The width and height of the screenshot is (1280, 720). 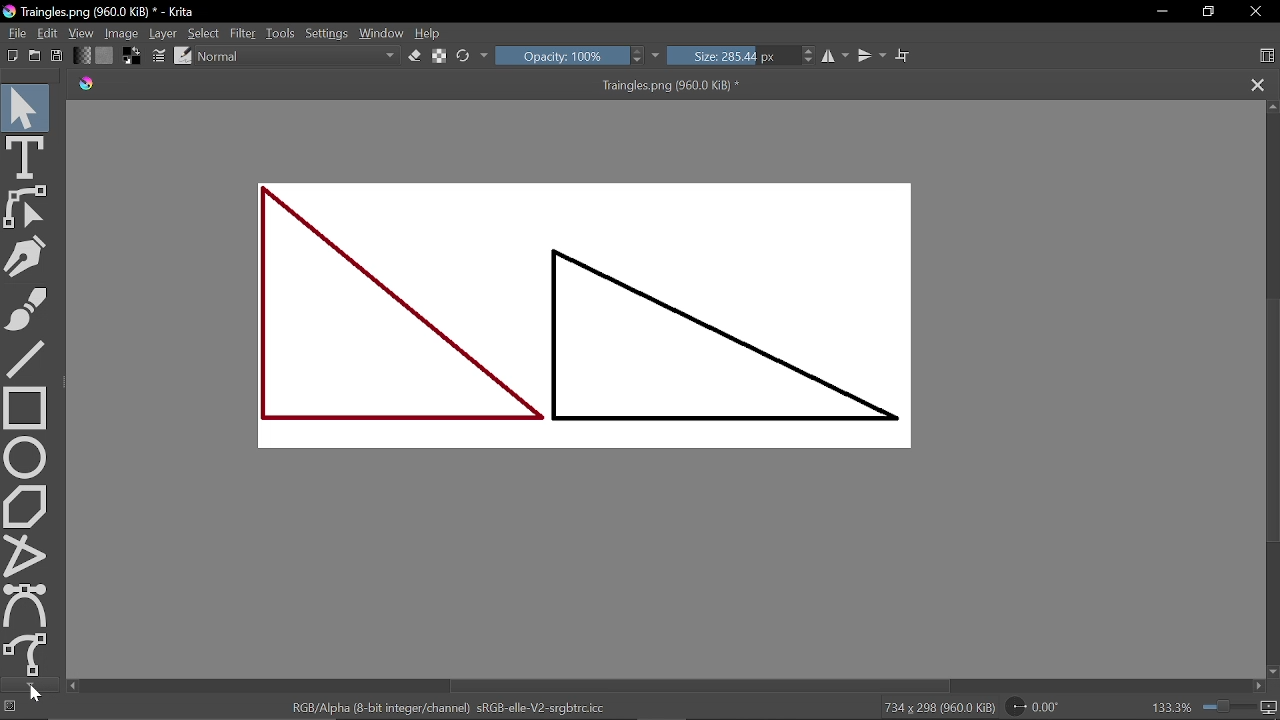 What do you see at coordinates (29, 655) in the screenshot?
I see `Freehand path tool` at bounding box center [29, 655].